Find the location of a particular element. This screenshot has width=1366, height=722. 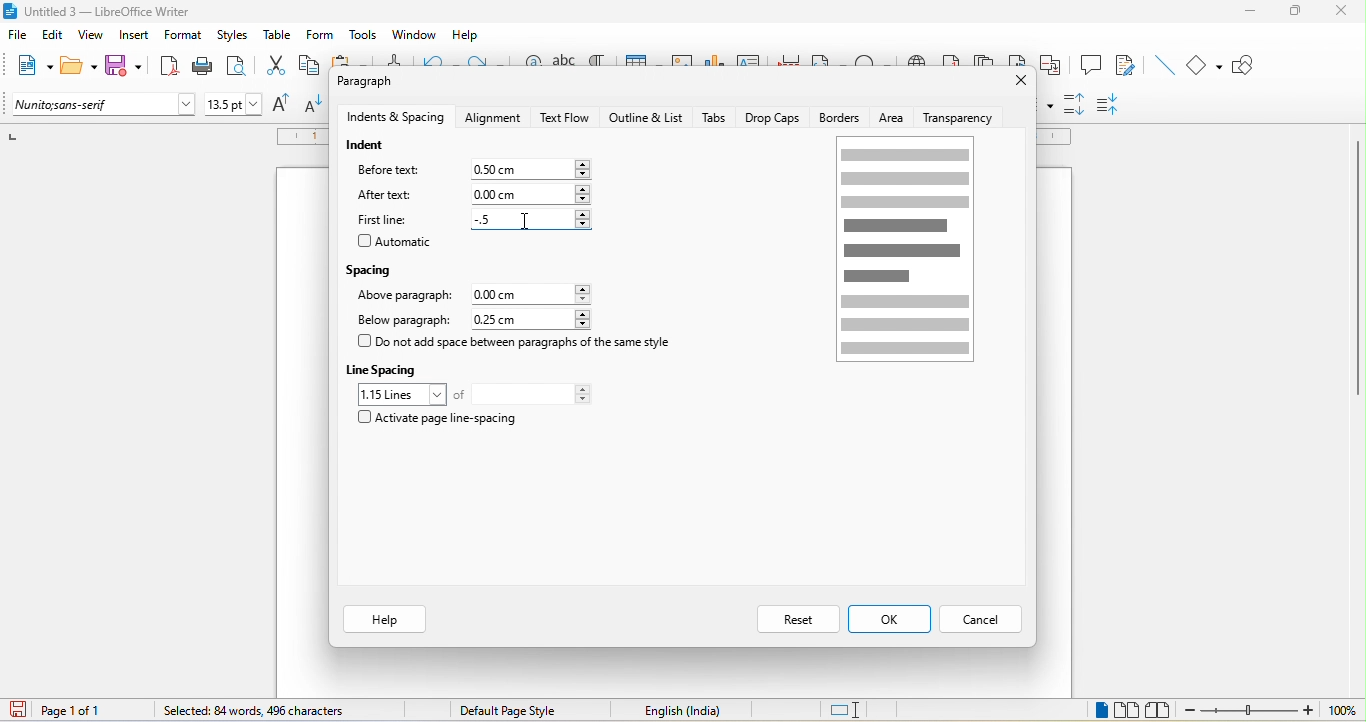

export directly as pdf is located at coordinates (168, 65).